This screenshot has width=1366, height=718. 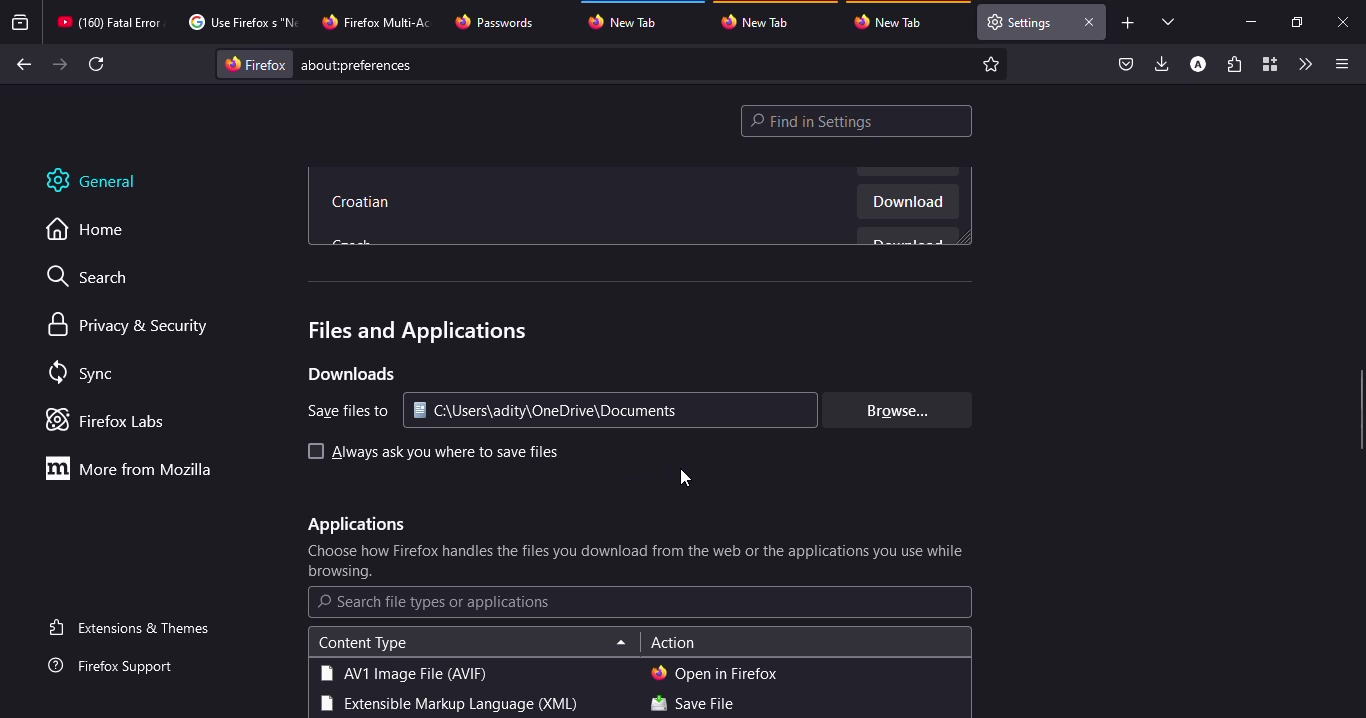 I want to click on tab, so click(x=632, y=19).